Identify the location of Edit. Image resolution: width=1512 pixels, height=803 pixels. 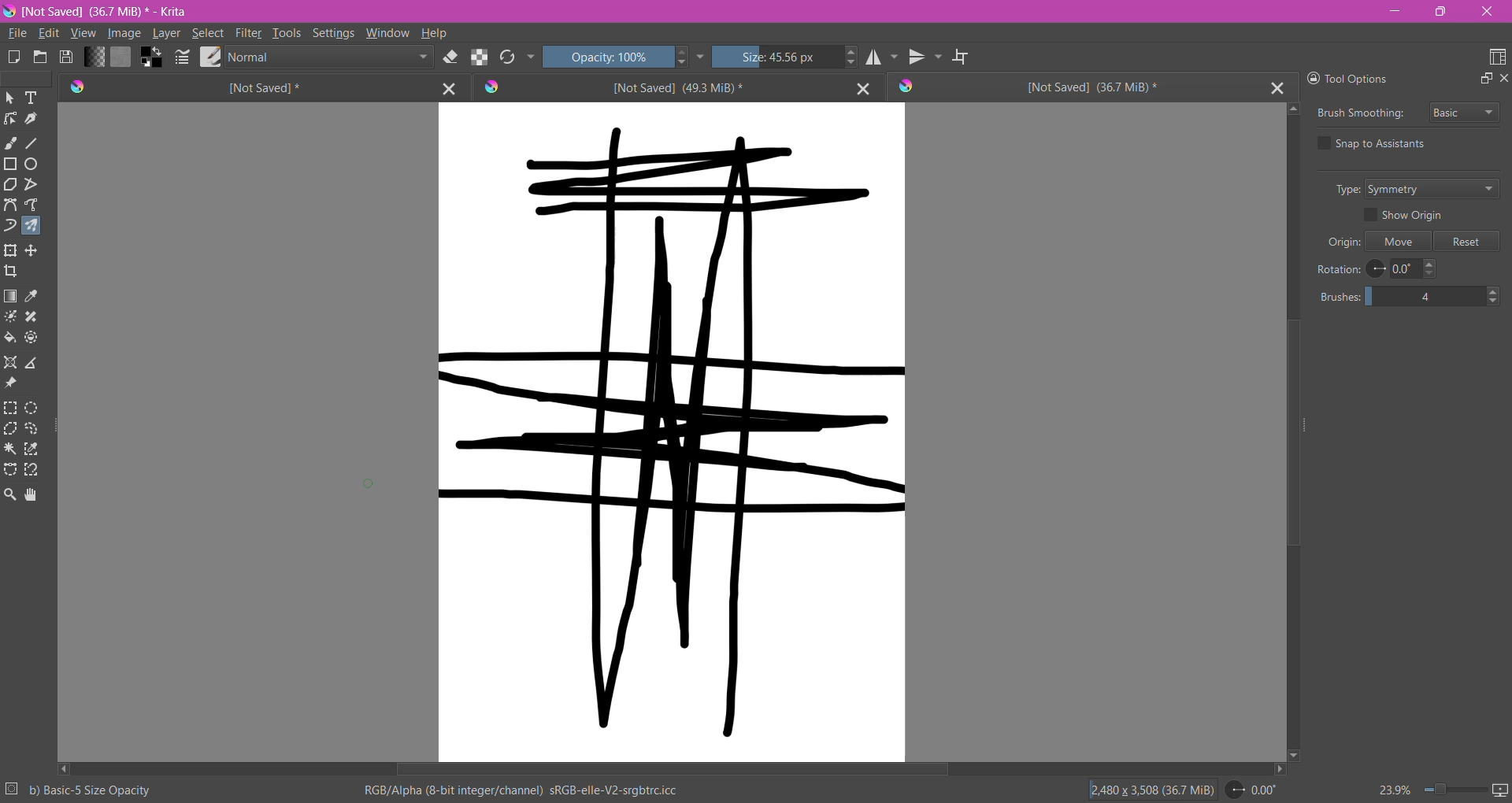
(48, 33).